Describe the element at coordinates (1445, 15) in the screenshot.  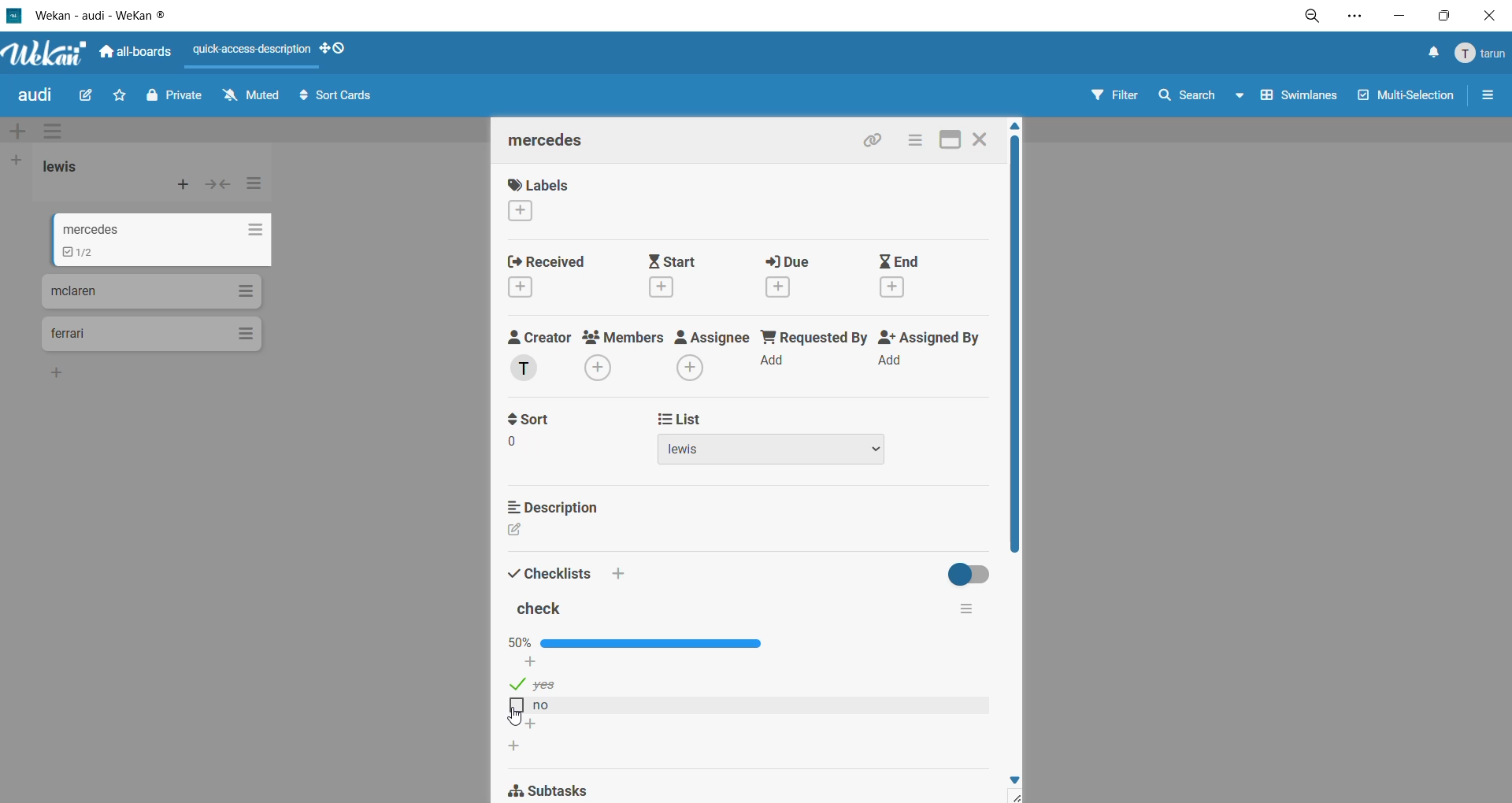
I see `maximize` at that location.